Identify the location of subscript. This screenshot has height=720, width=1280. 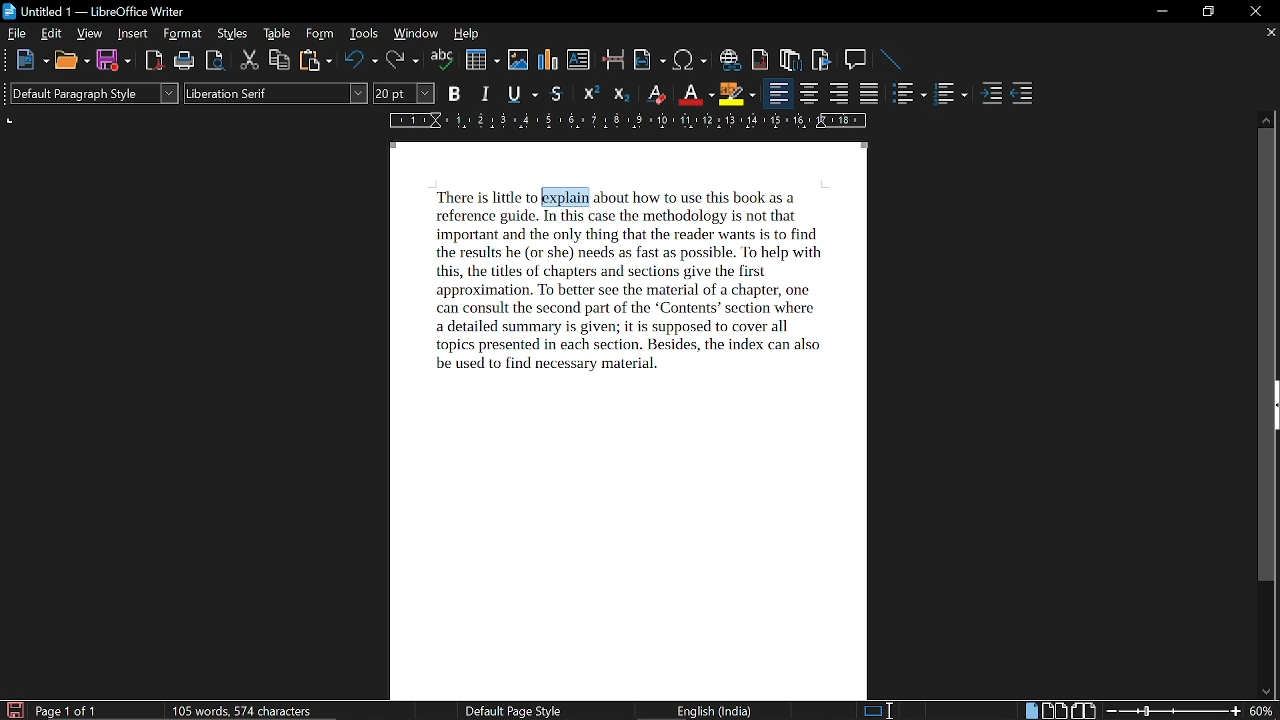
(621, 95).